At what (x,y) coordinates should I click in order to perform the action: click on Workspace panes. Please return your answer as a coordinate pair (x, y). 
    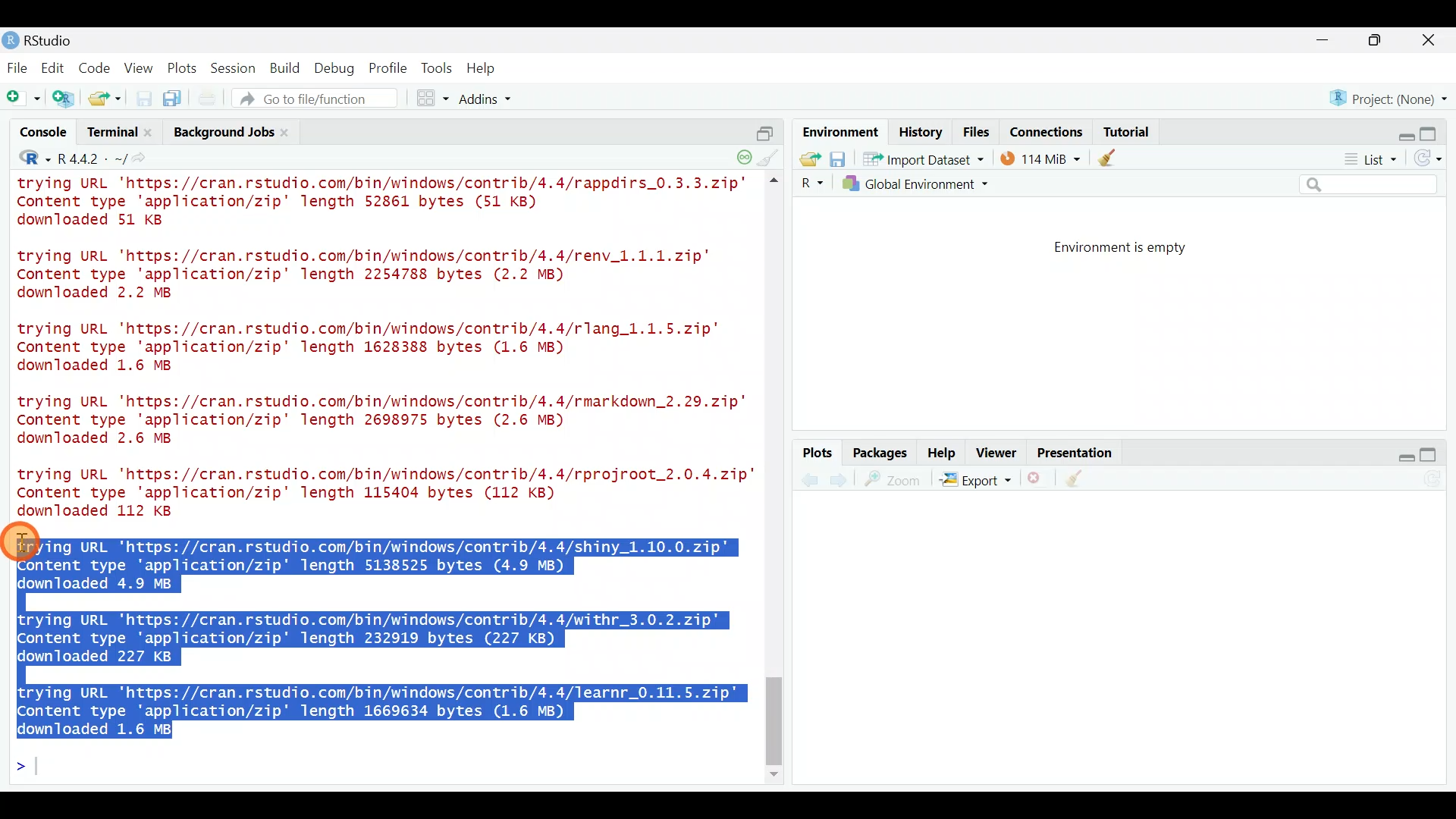
    Looking at the image, I should click on (434, 99).